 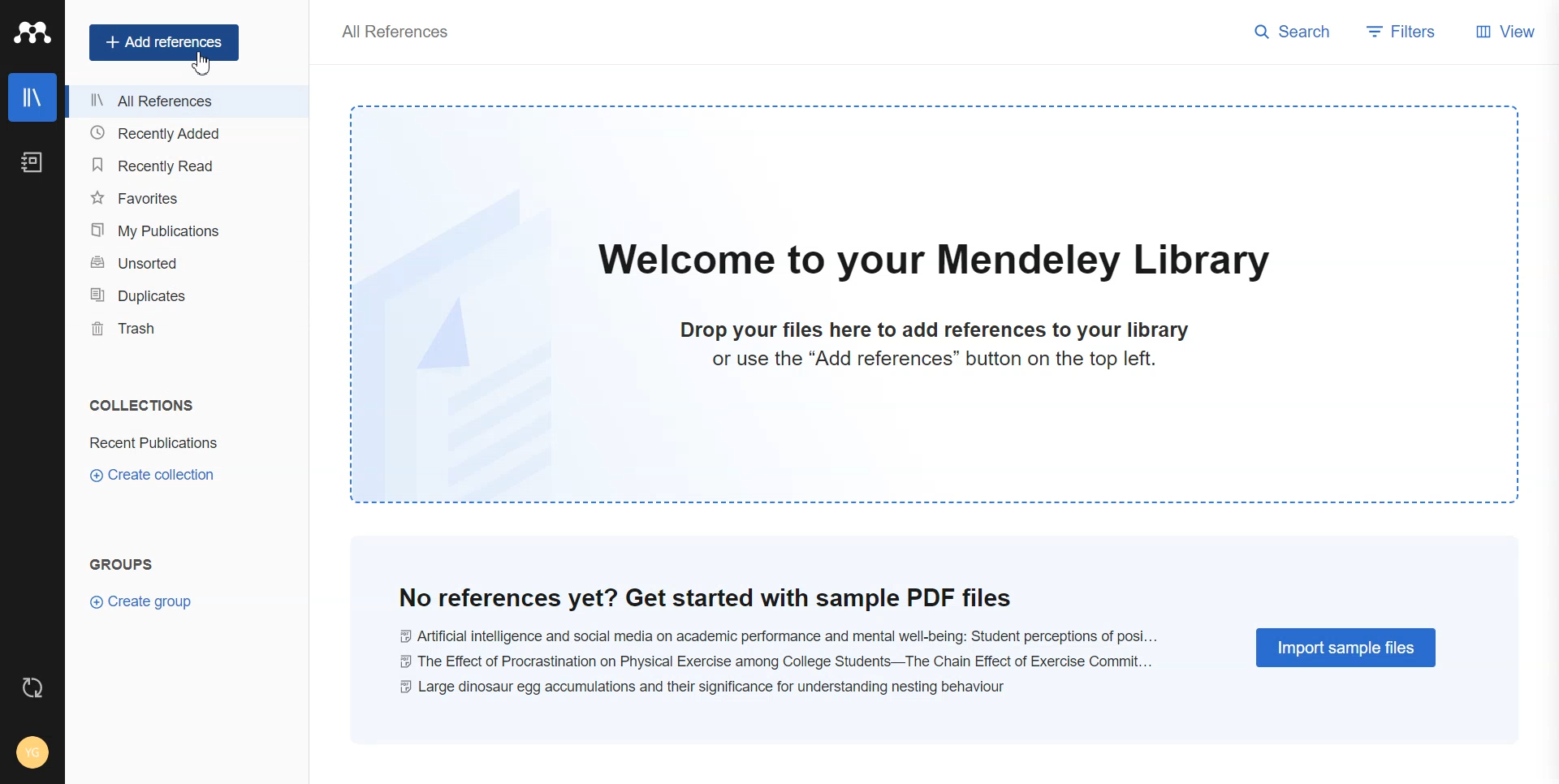 I want to click on Duplicates, so click(x=181, y=293).